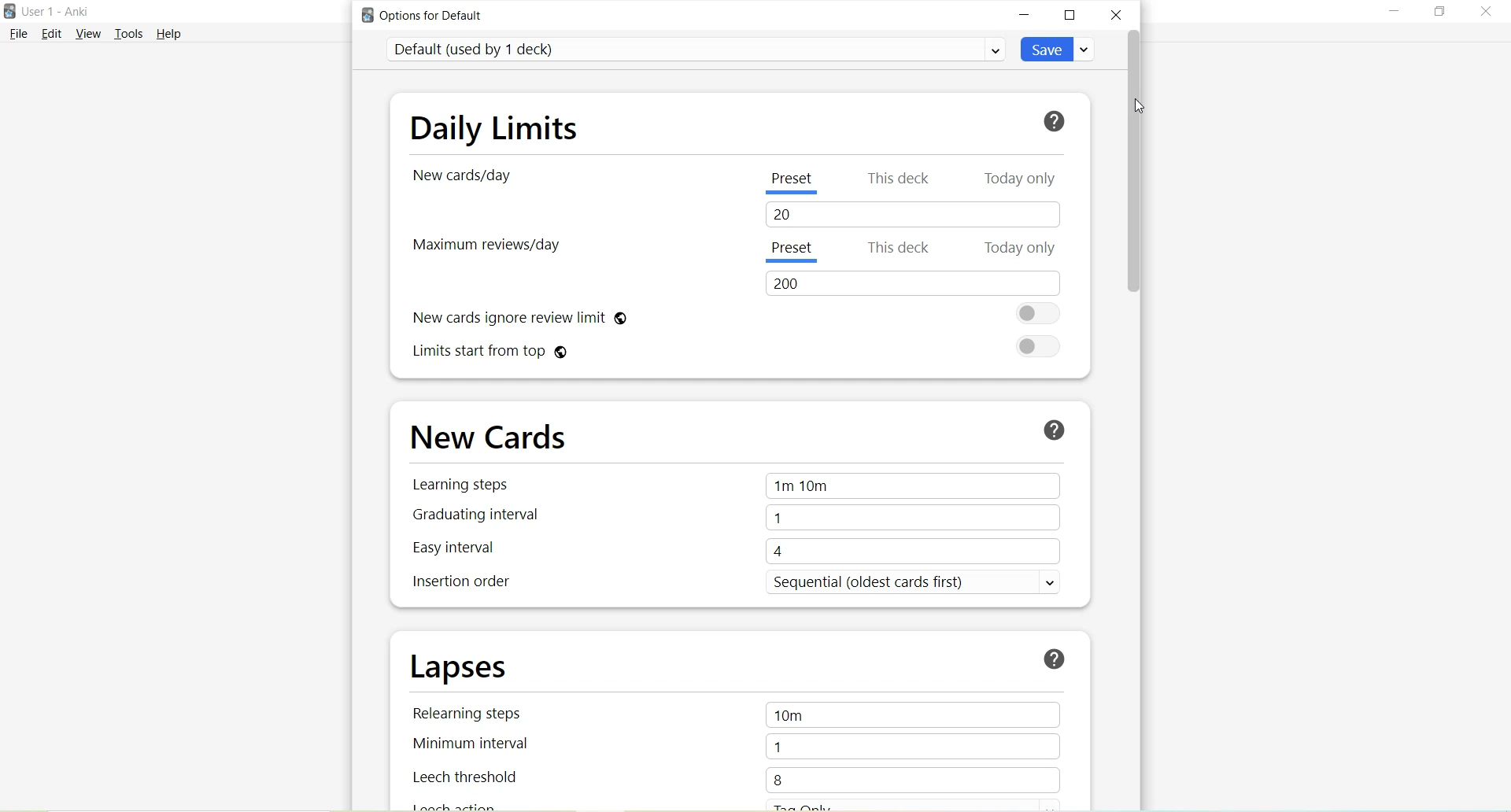  I want to click on Maximum reviews/day, so click(490, 247).